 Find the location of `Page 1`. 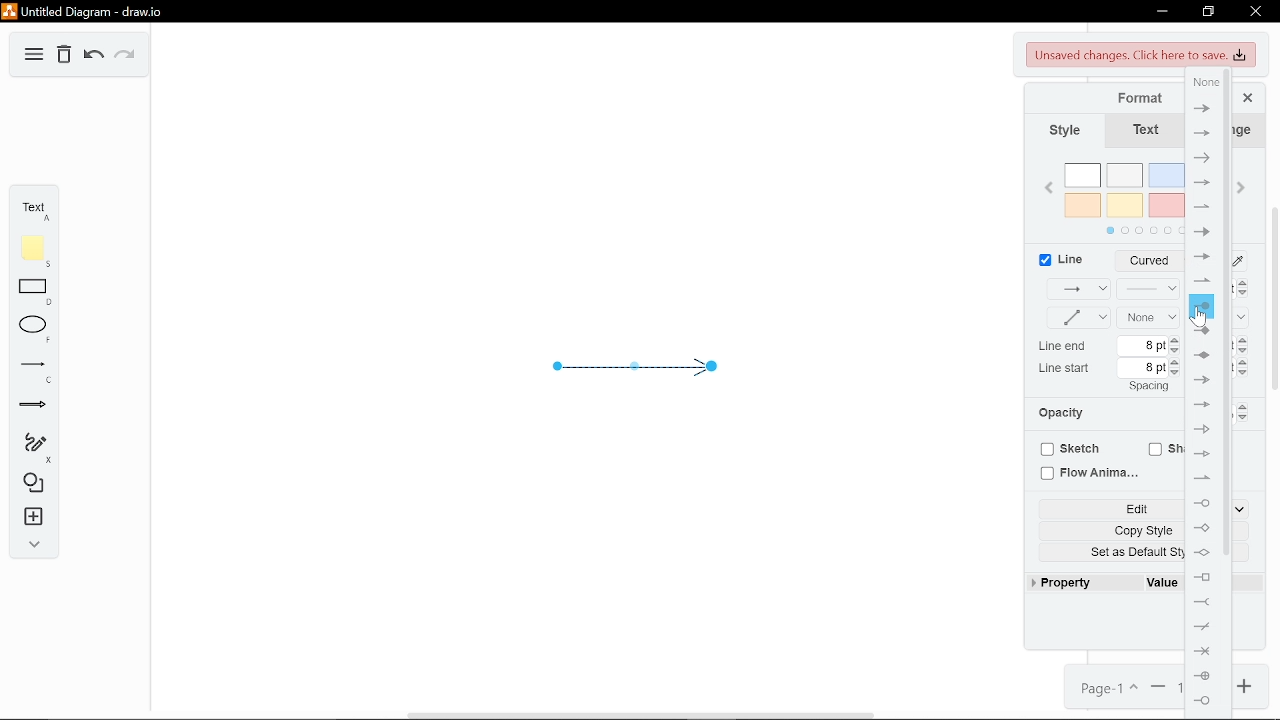

Page 1 is located at coordinates (1109, 689).